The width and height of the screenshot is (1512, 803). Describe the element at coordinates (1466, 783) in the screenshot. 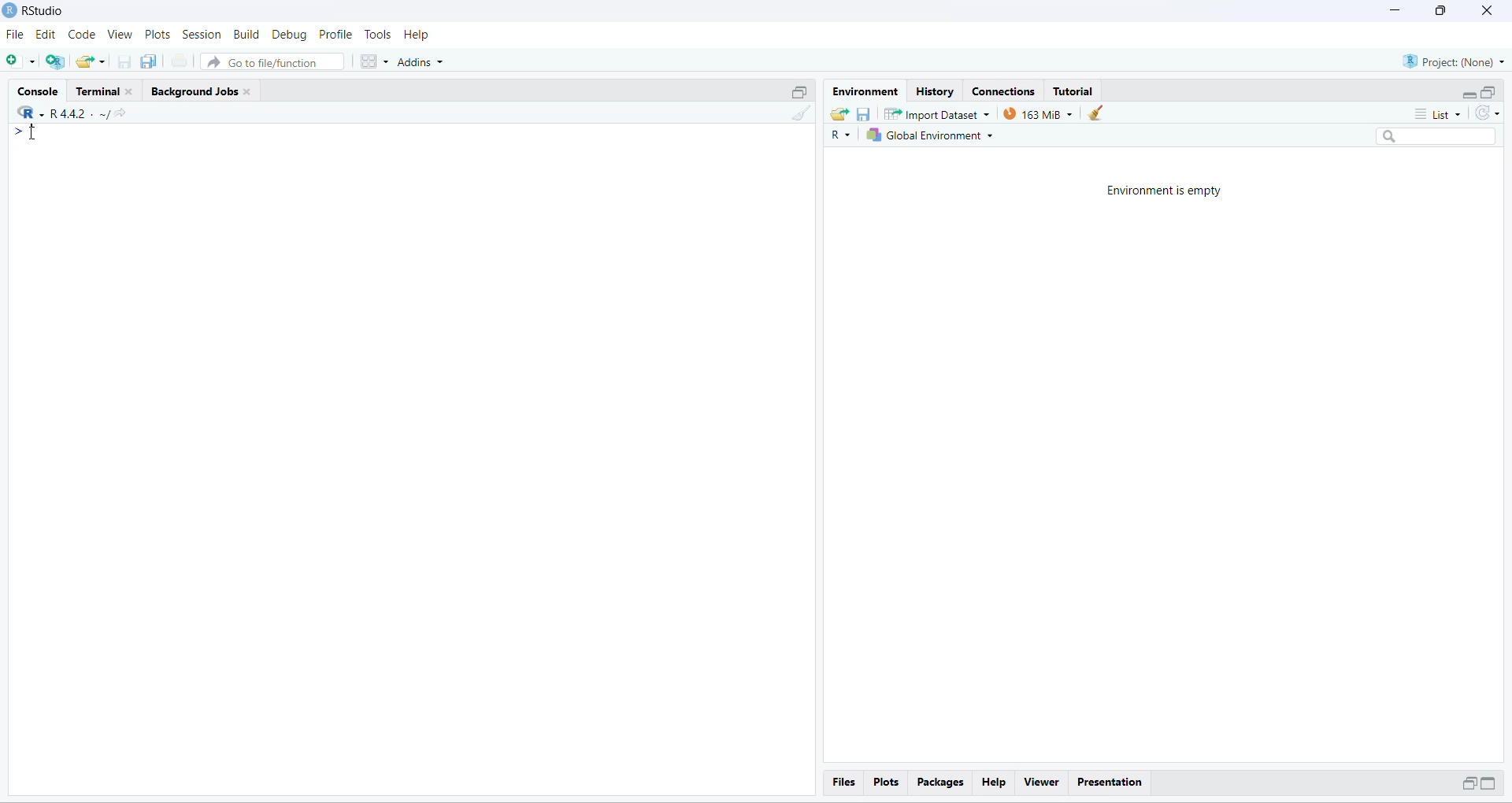

I see `minimize` at that location.